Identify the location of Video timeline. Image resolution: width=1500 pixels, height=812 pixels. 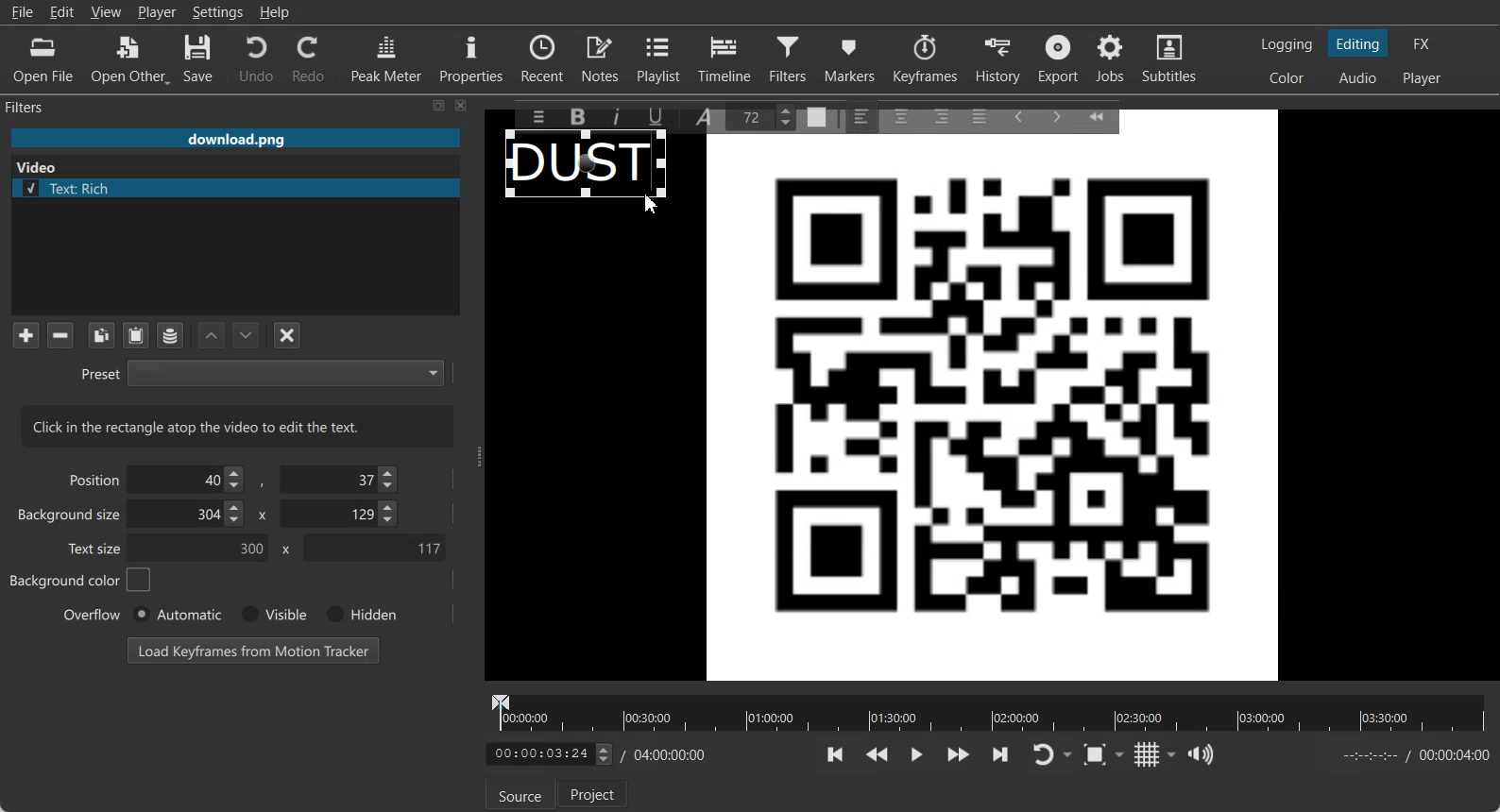
(988, 711).